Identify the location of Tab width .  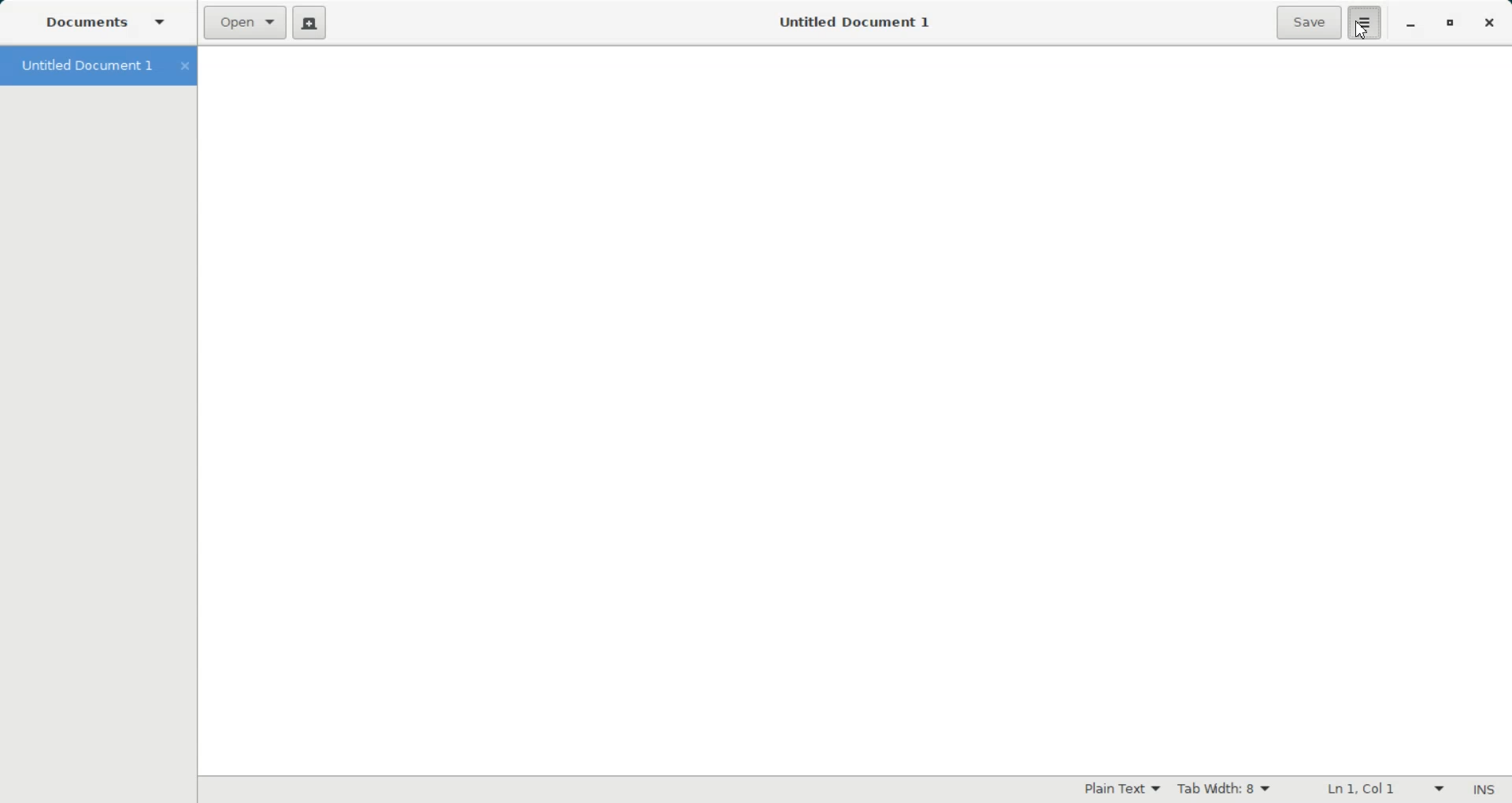
(1222, 789).